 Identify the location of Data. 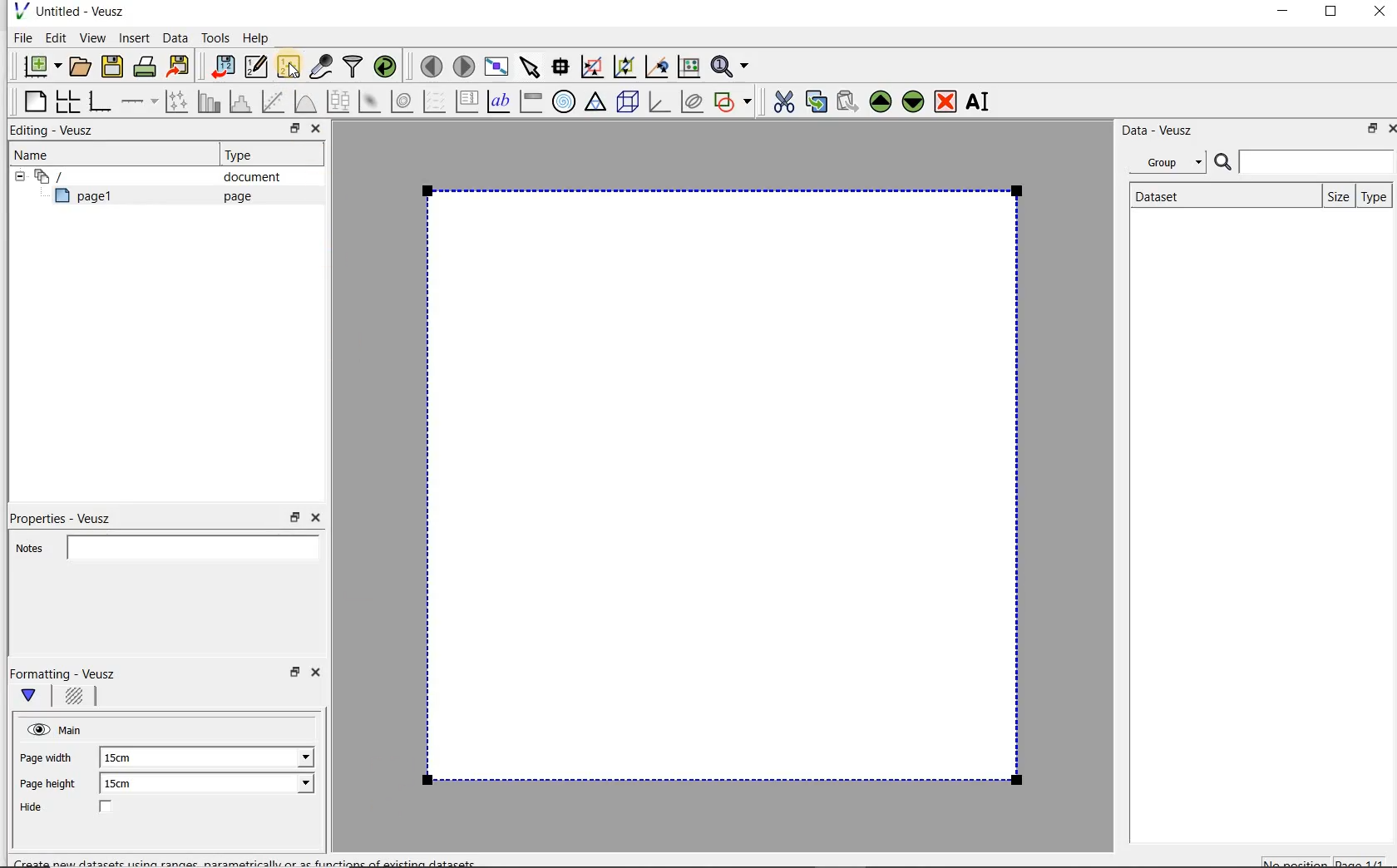
(176, 37).